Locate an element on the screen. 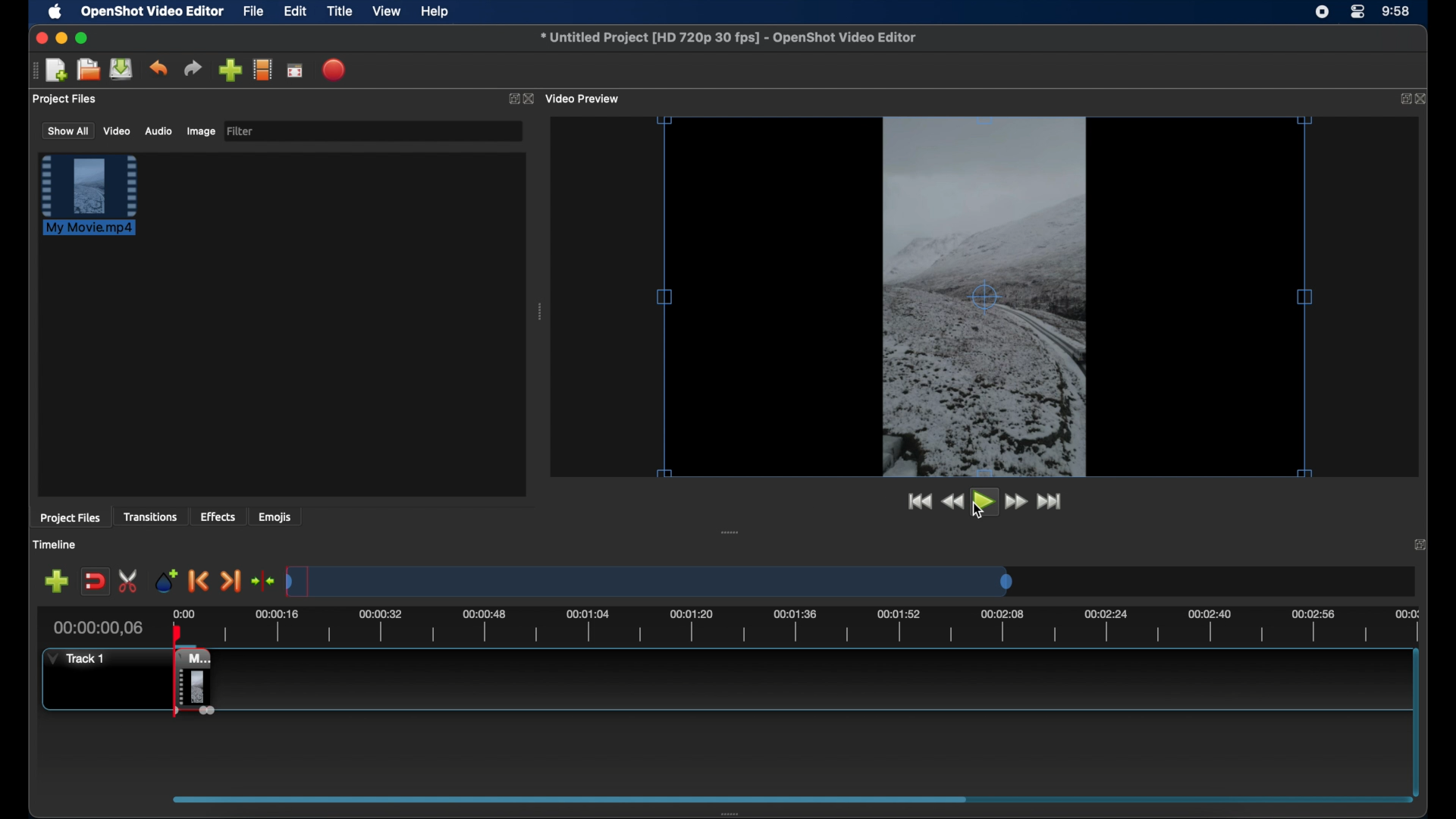 The width and height of the screenshot is (1456, 819). next marker is located at coordinates (231, 582).